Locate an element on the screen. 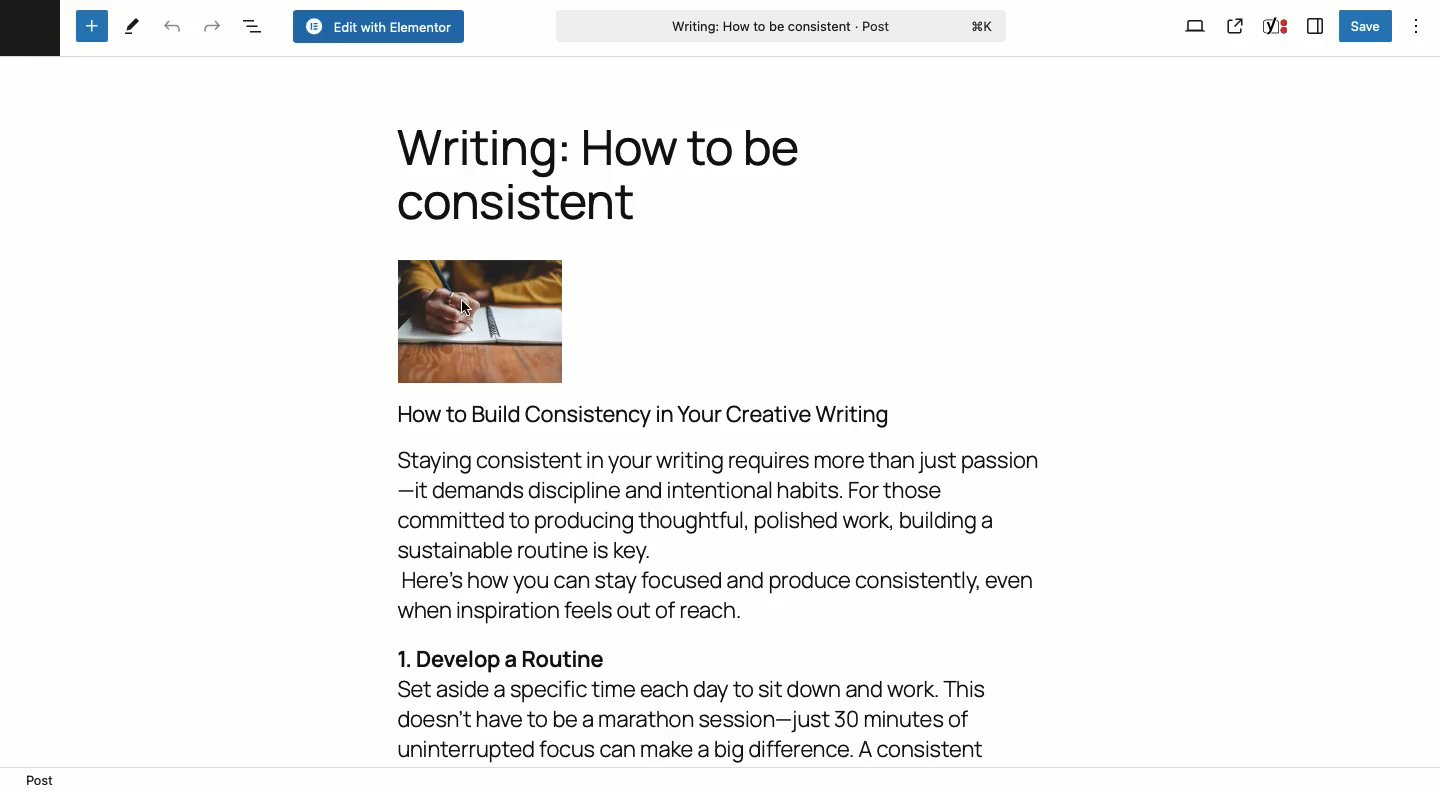 This screenshot has width=1440, height=792. post is located at coordinates (40, 781).